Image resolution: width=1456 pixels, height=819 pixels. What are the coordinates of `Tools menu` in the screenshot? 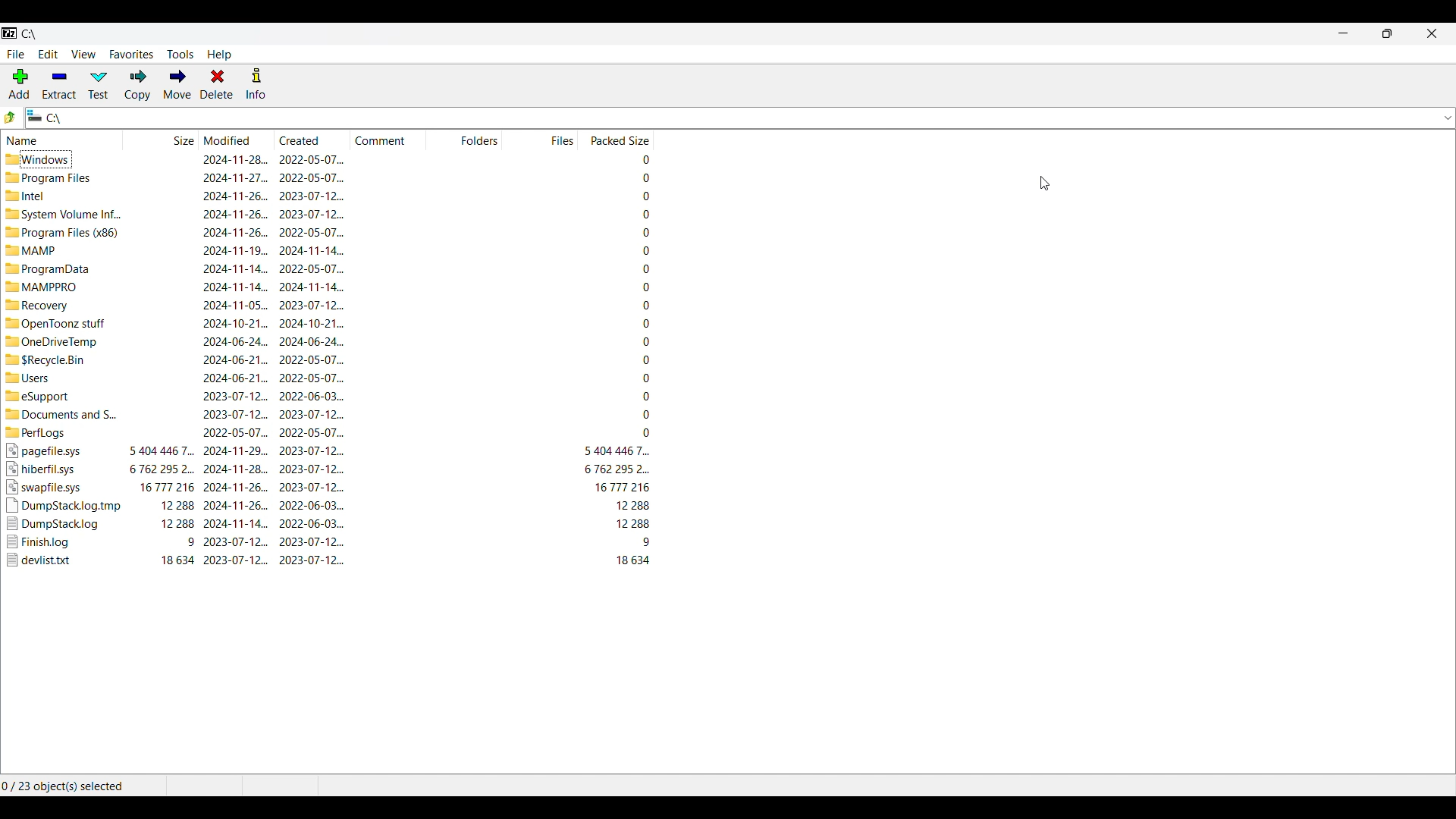 It's located at (180, 55).